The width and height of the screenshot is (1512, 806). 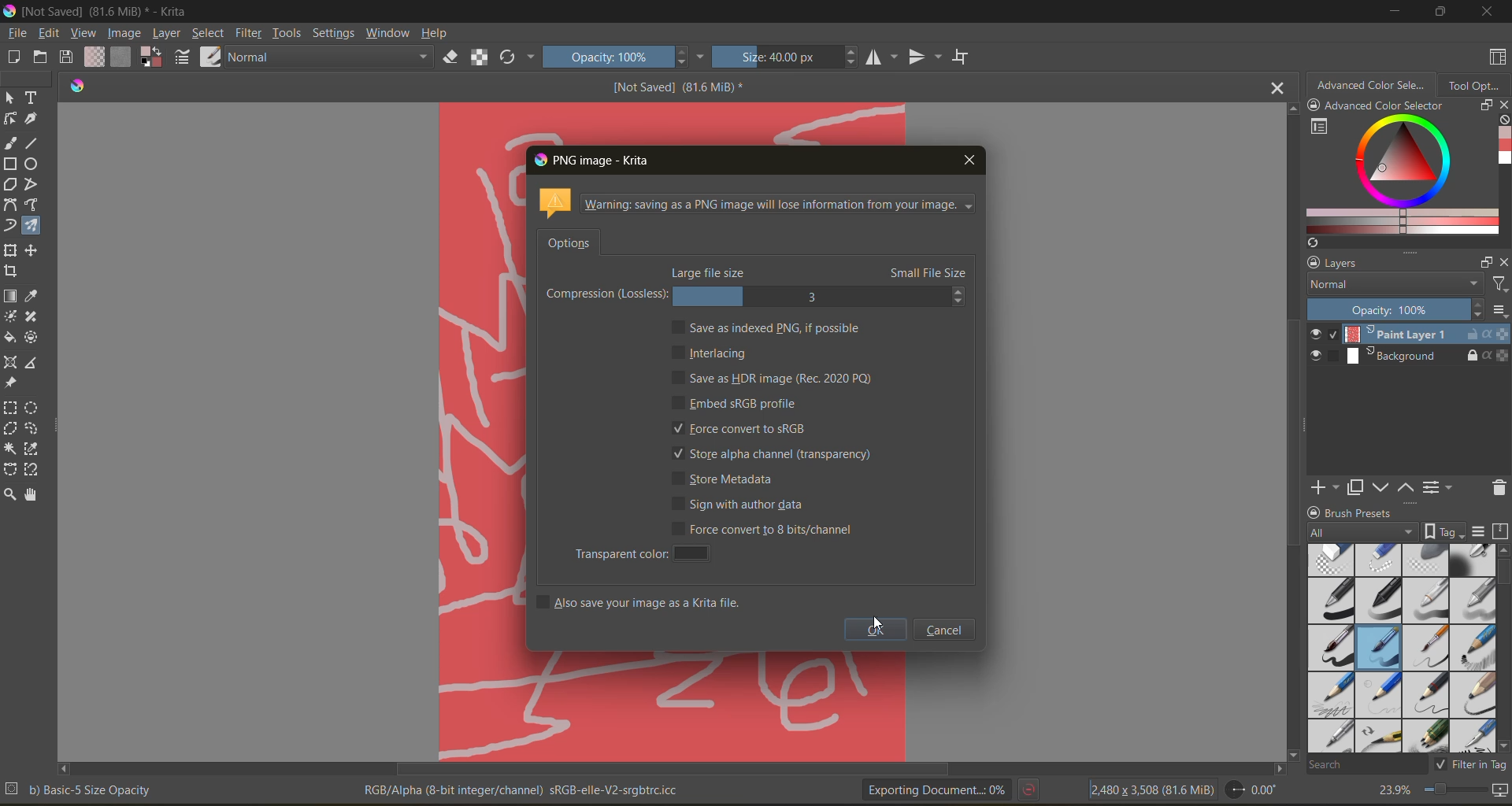 I want to click on clear all color history, so click(x=1503, y=121).